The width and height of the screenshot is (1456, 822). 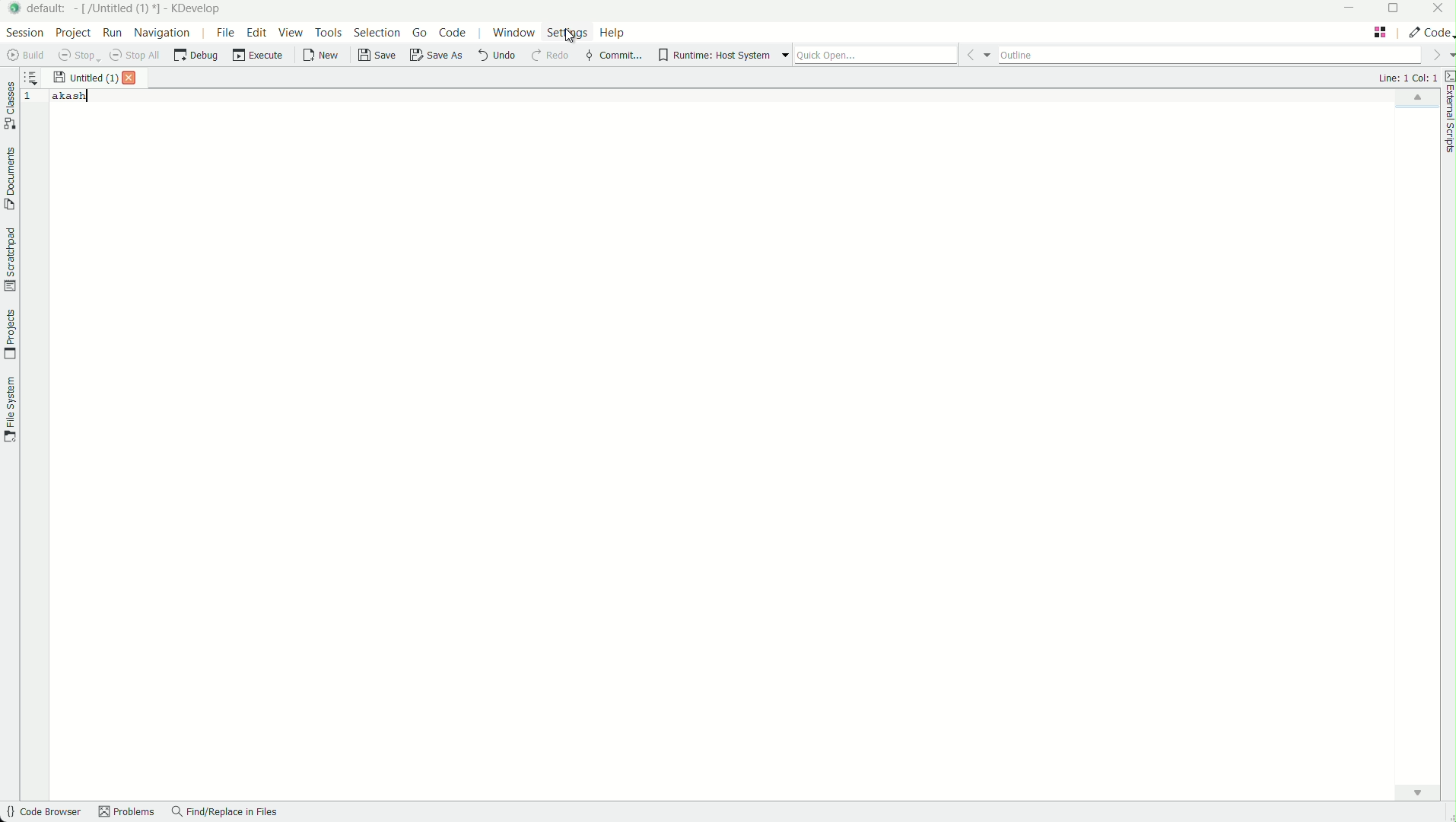 I want to click on sort the opened documents, so click(x=31, y=75).